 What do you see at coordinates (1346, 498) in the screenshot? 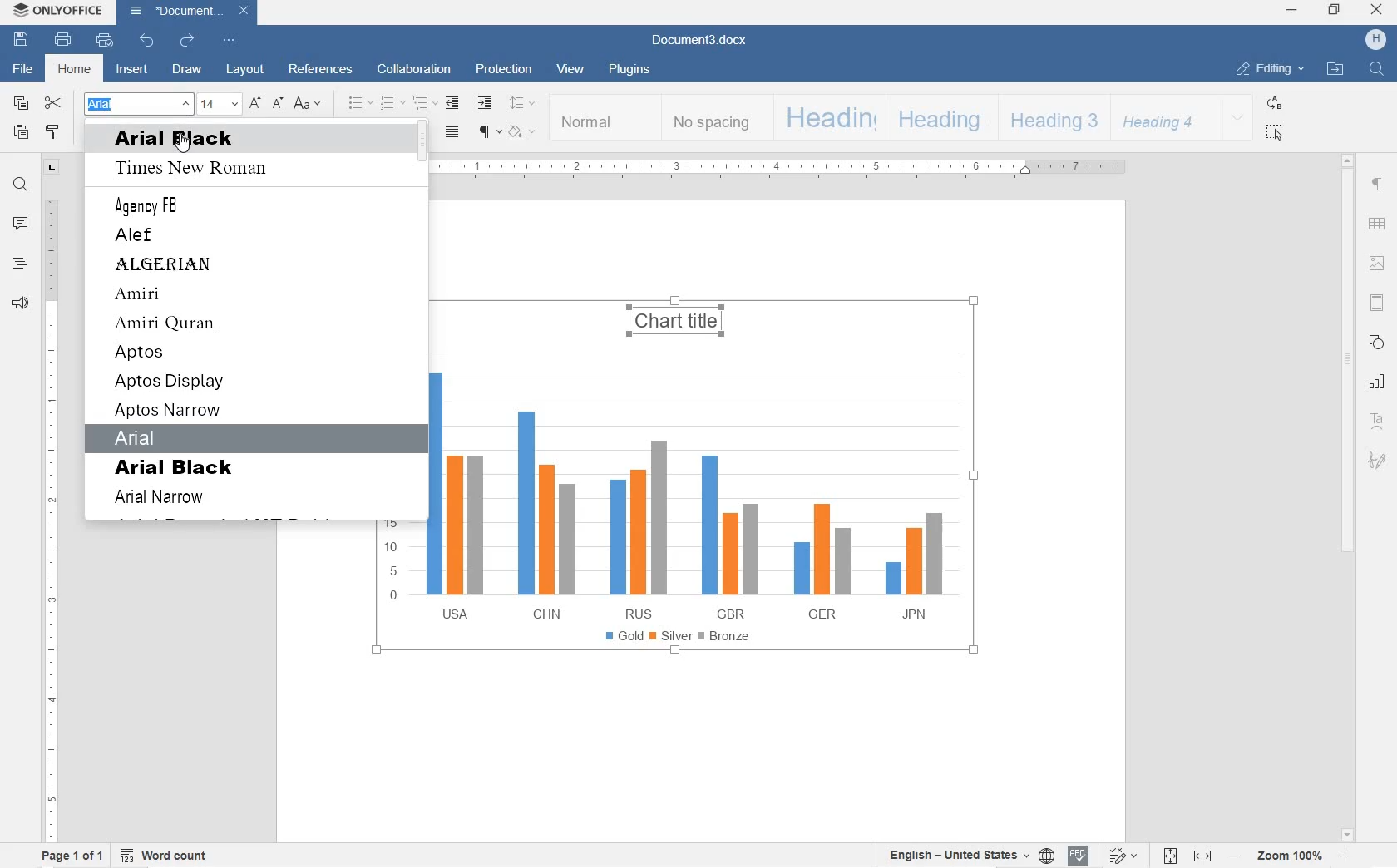
I see `SCROLLBAR` at bounding box center [1346, 498].